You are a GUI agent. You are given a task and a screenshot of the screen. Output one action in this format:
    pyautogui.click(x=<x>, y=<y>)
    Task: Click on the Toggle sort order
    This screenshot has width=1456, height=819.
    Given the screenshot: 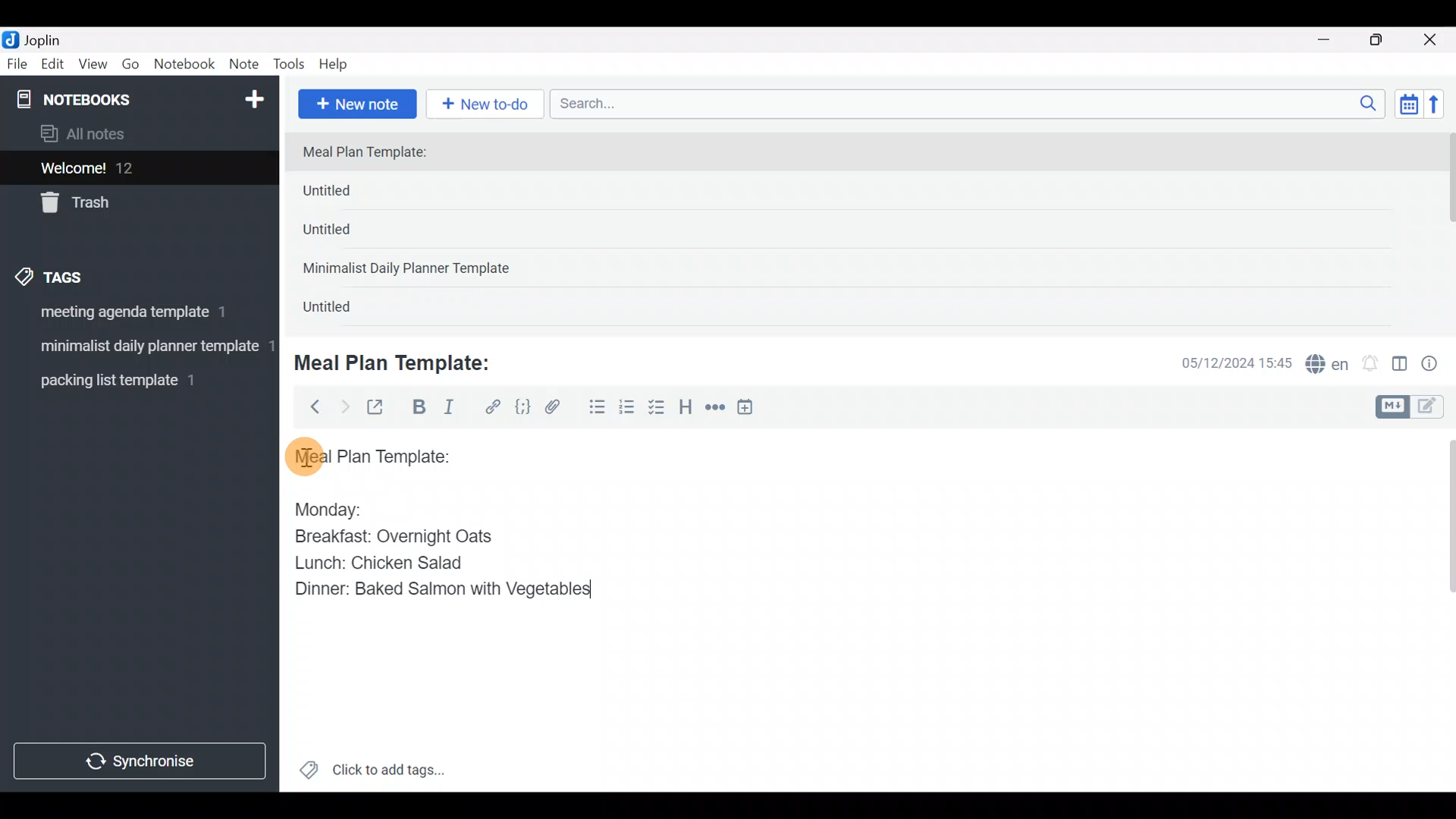 What is the action you would take?
    pyautogui.click(x=1408, y=105)
    